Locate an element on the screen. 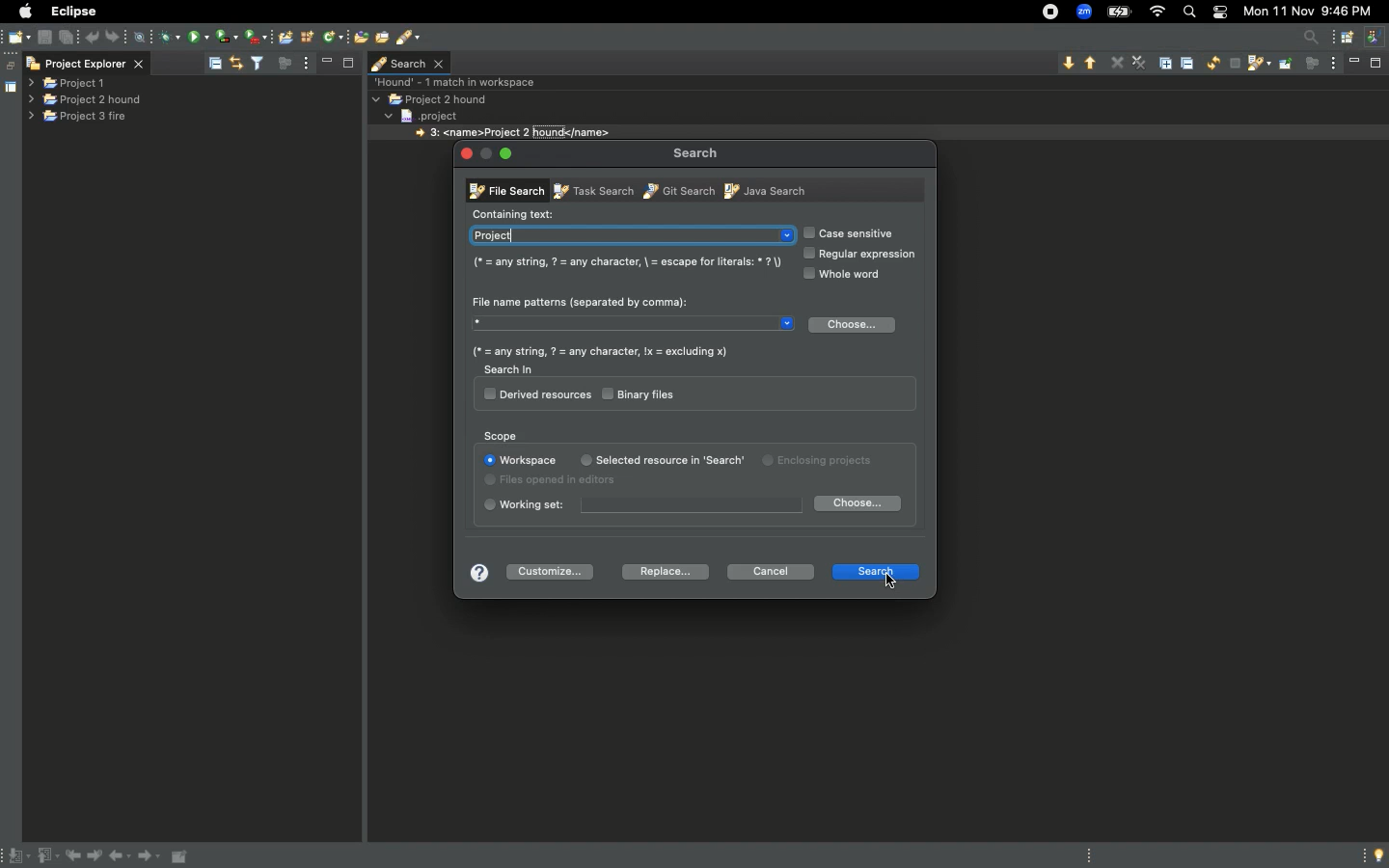 The width and height of the screenshot is (1389, 868). Working set is located at coordinates (640, 505).